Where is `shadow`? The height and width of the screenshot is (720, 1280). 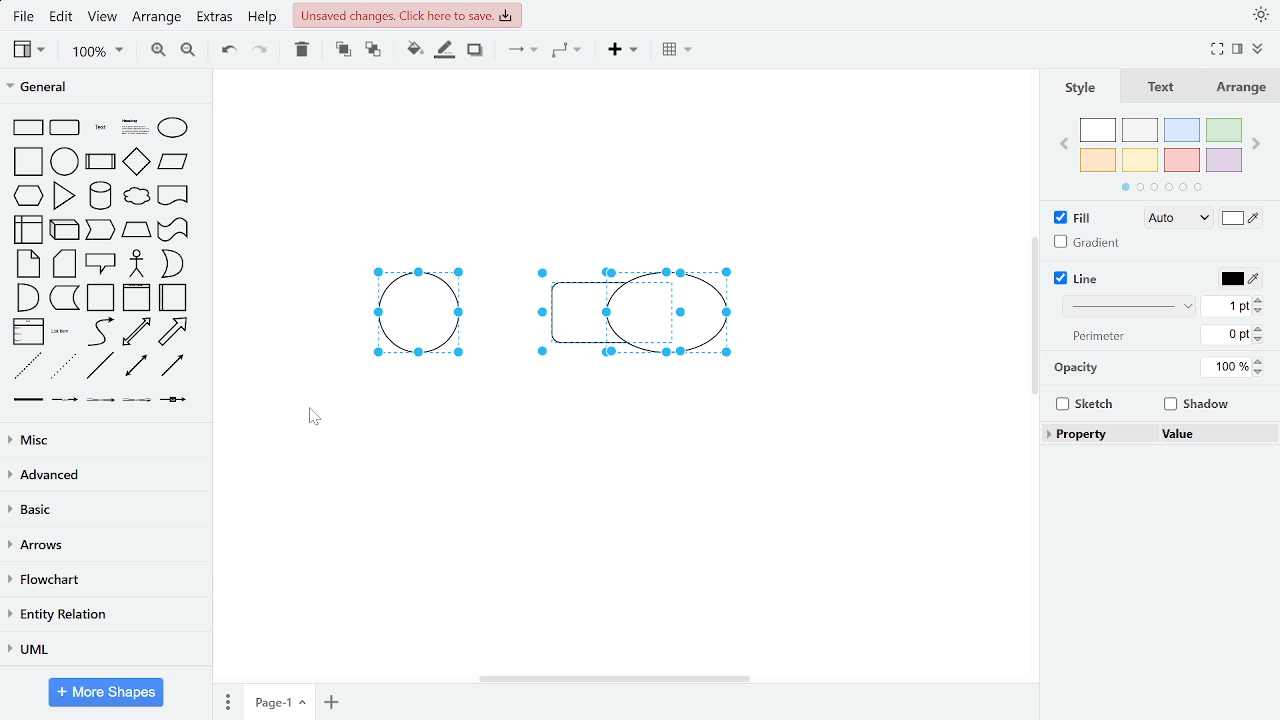
shadow is located at coordinates (474, 51).